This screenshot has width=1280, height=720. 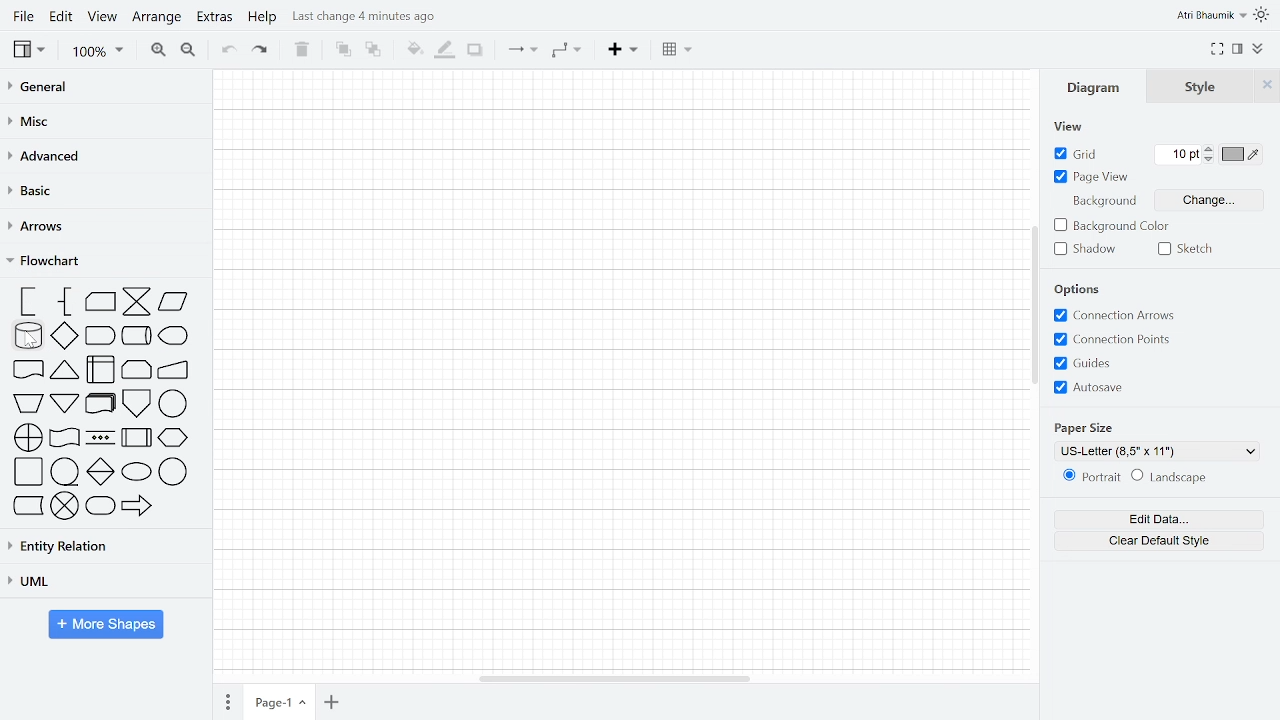 I want to click on Flowchart, so click(x=100, y=262).